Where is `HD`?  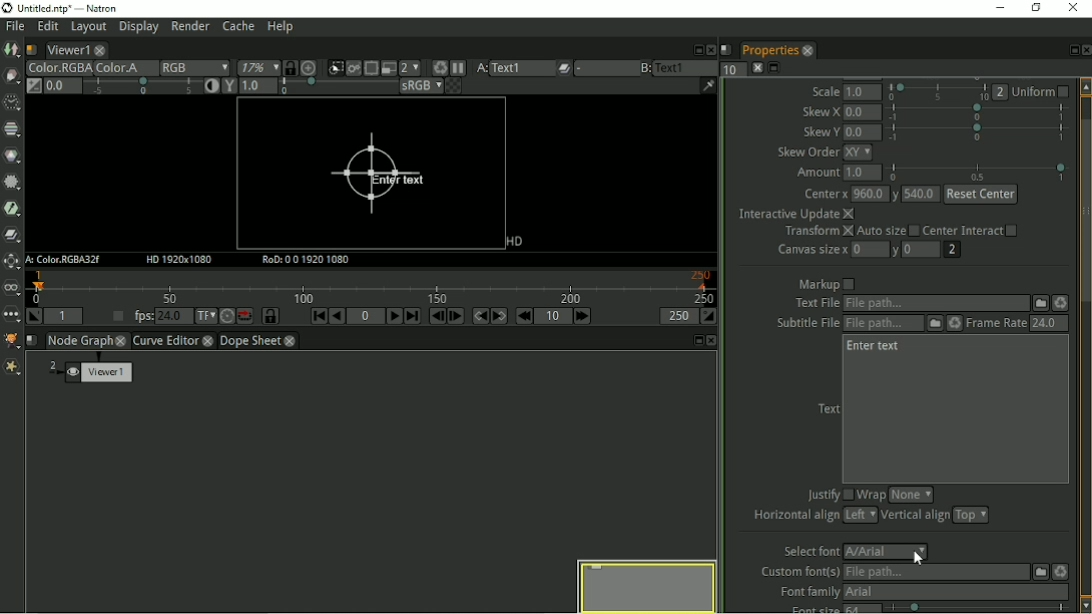
HD is located at coordinates (512, 242).